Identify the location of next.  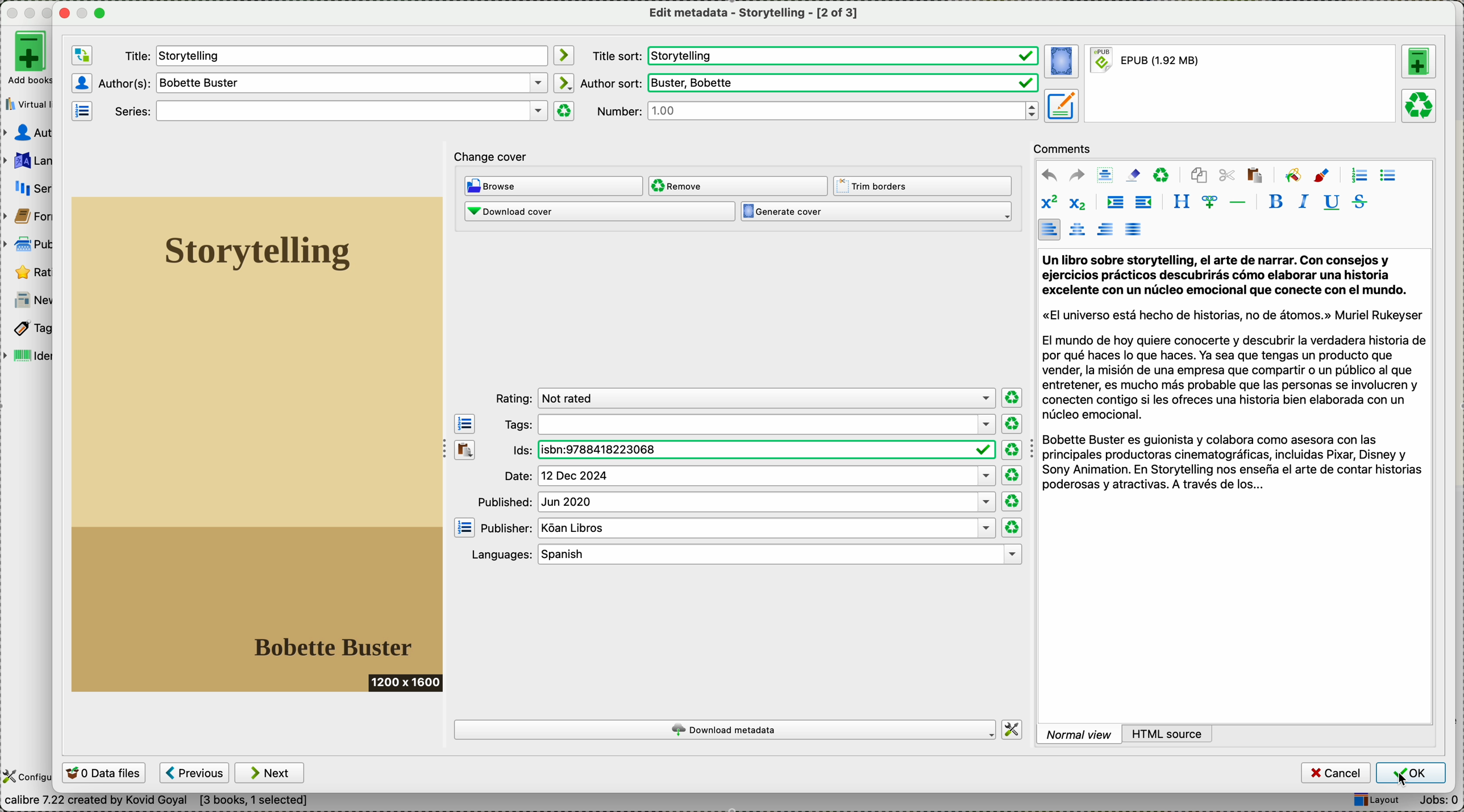
(269, 772).